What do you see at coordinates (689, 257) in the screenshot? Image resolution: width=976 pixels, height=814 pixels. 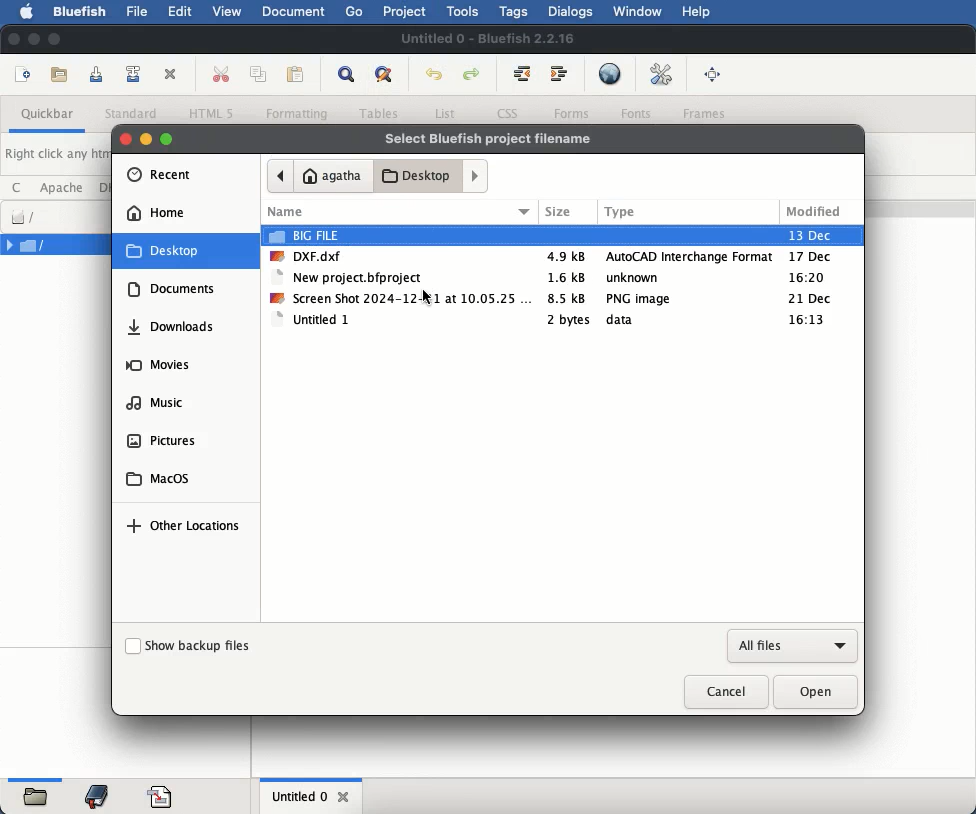 I see `AutoCAD Interchange Format` at bounding box center [689, 257].